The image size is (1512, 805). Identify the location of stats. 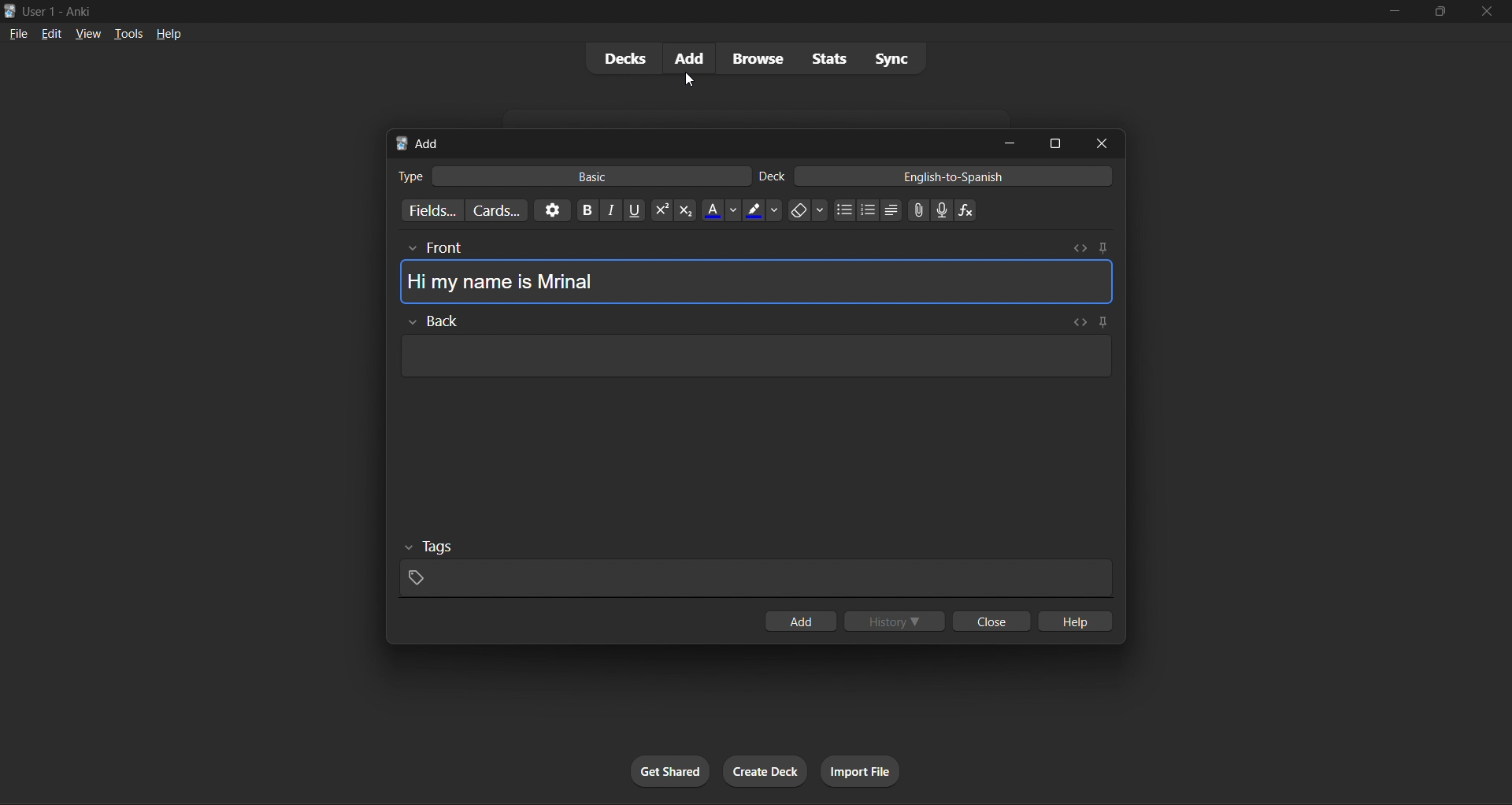
(824, 58).